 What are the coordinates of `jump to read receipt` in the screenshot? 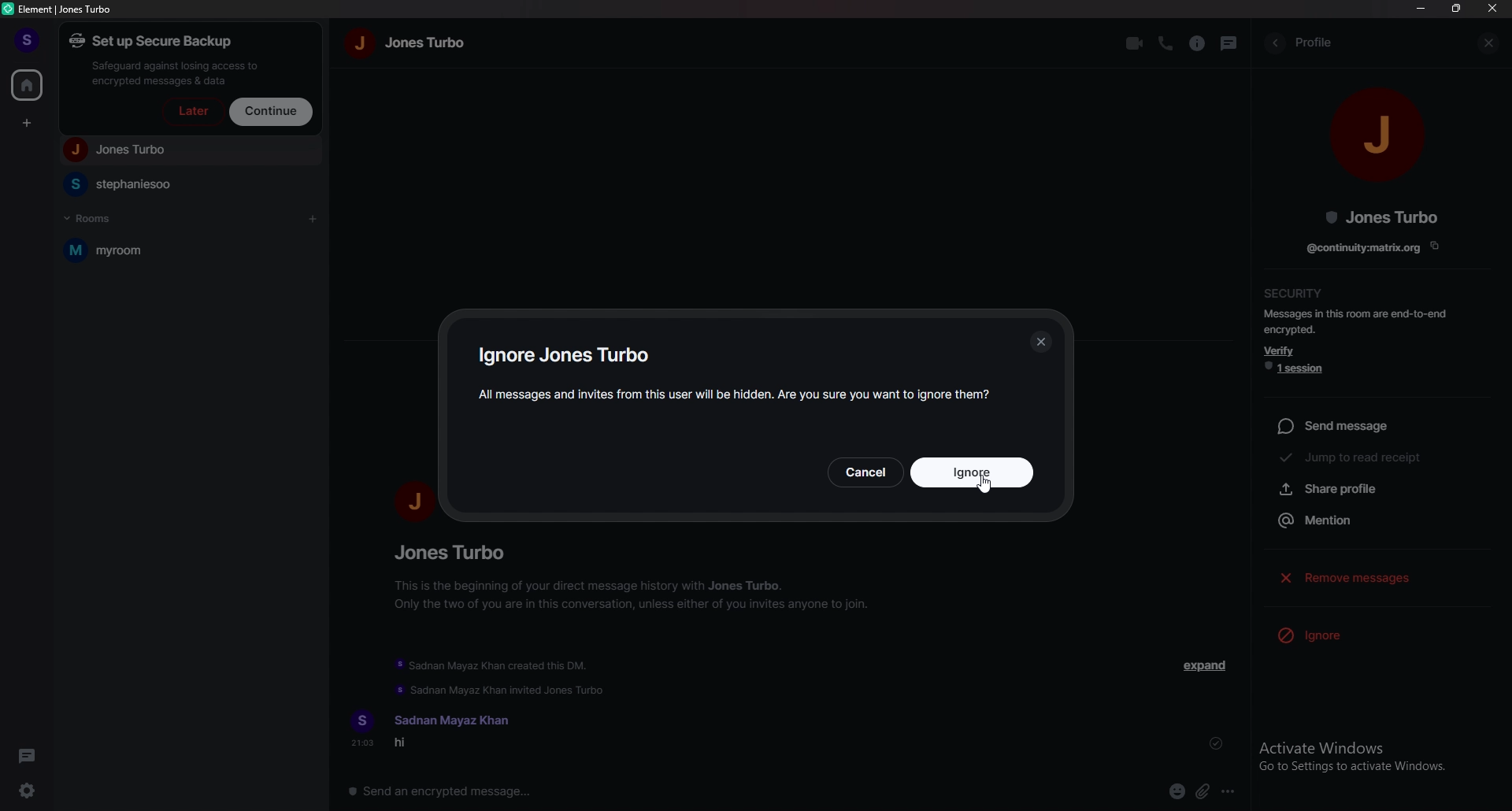 It's located at (1369, 458).